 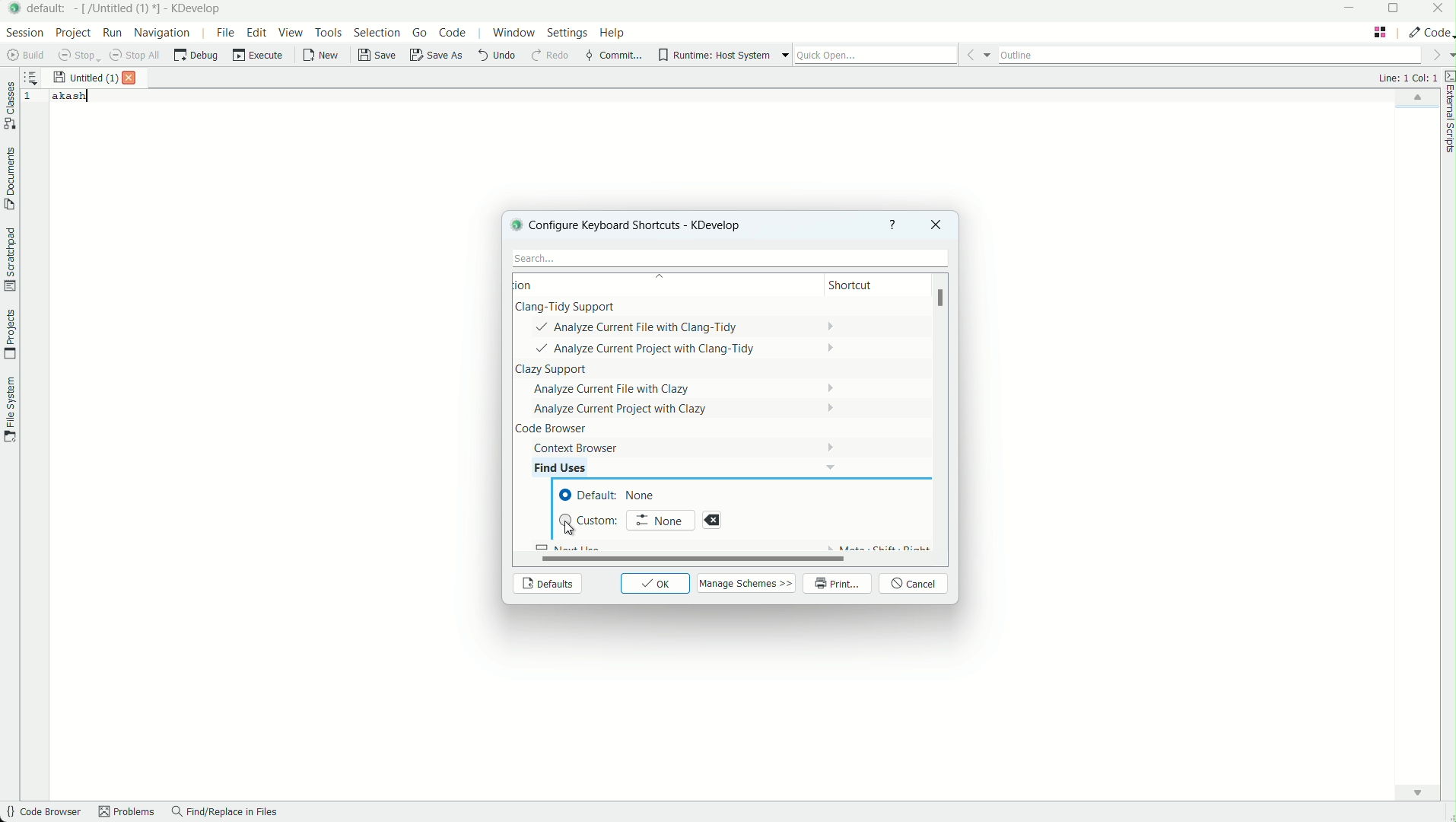 I want to click on logo, so click(x=514, y=224).